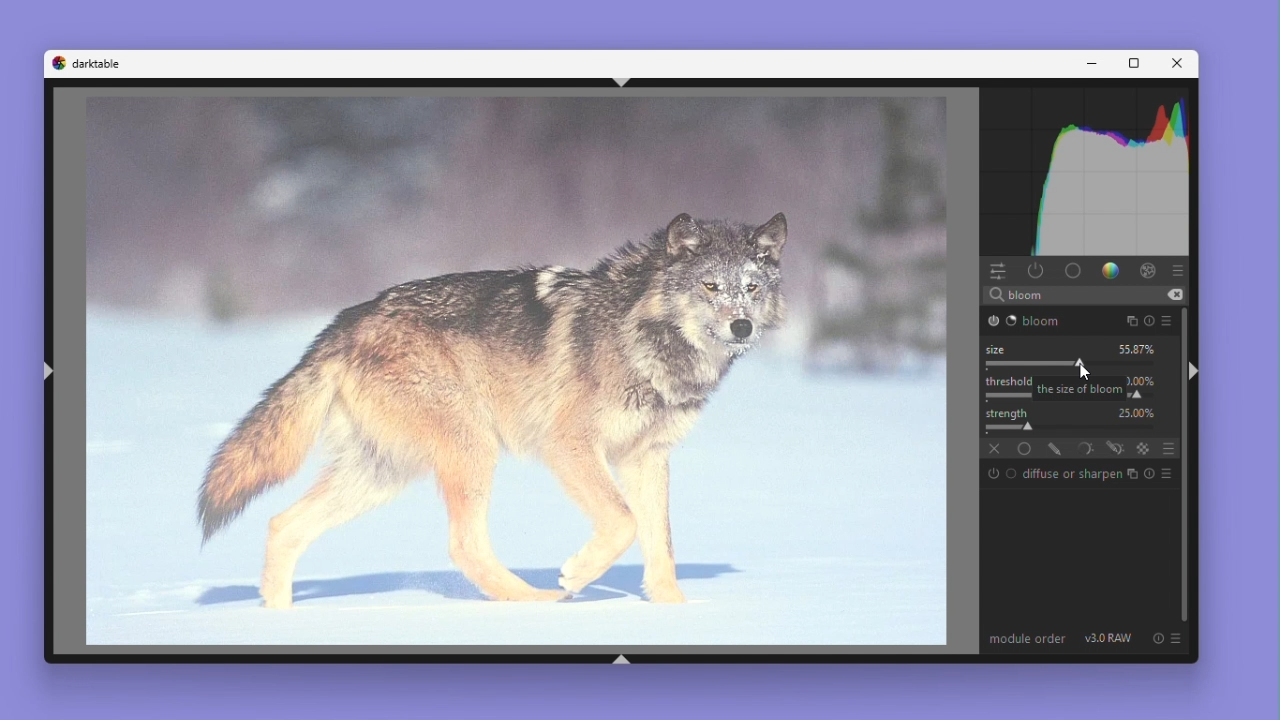  I want to click on preset, so click(1178, 638).